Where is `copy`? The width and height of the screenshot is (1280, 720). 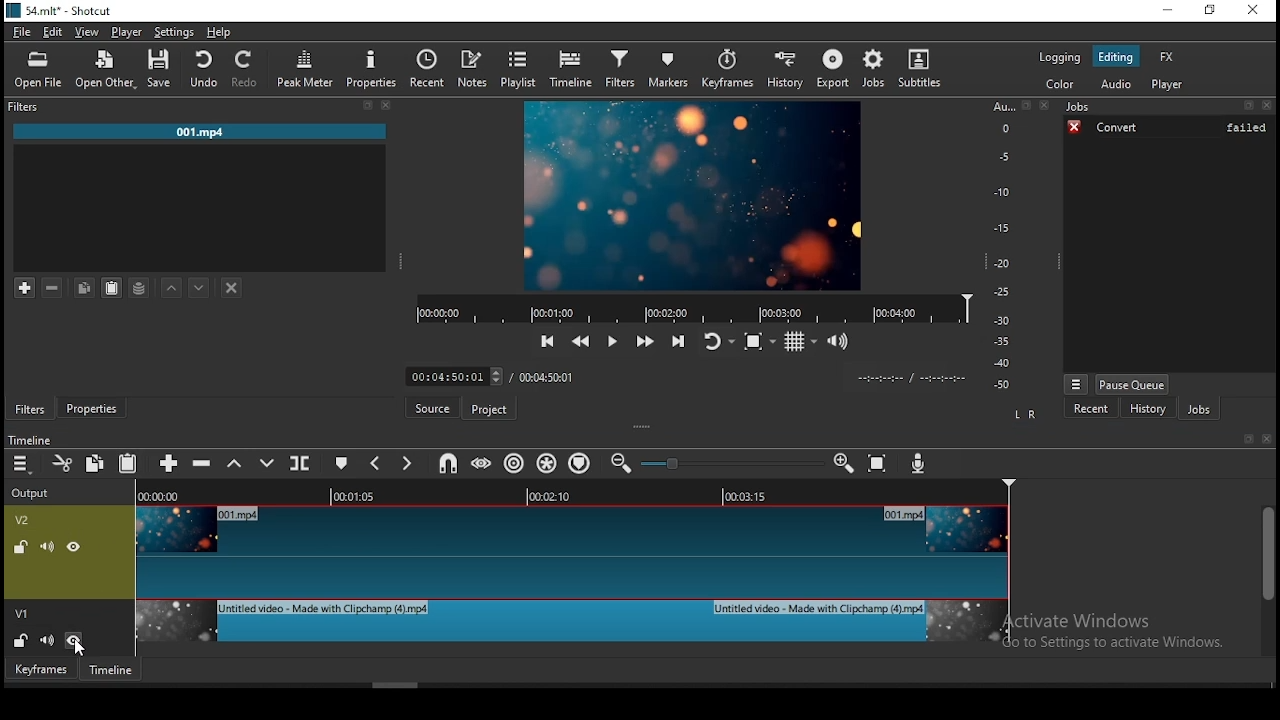
copy is located at coordinates (93, 462).